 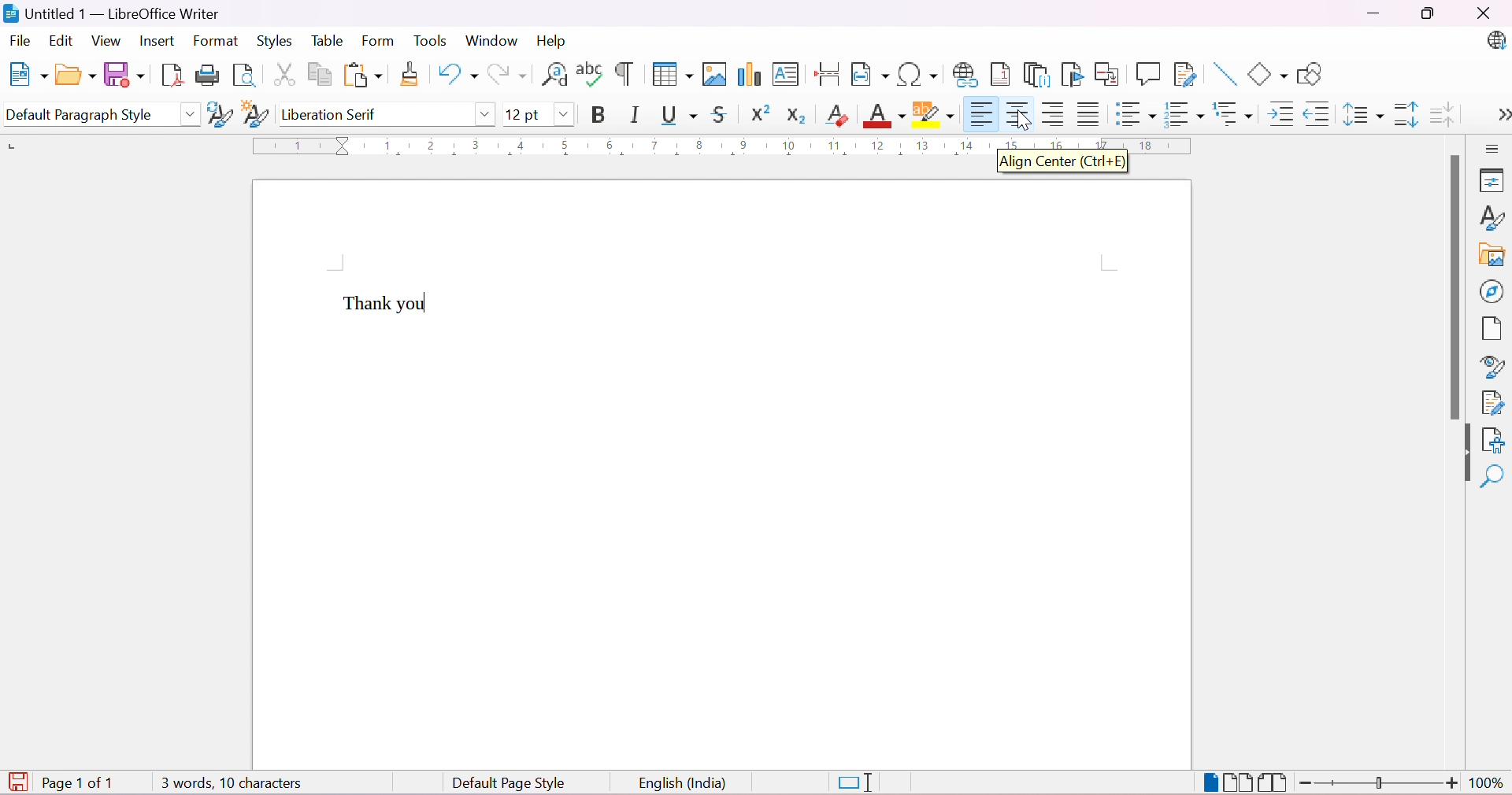 I want to click on Hide, so click(x=1466, y=454).